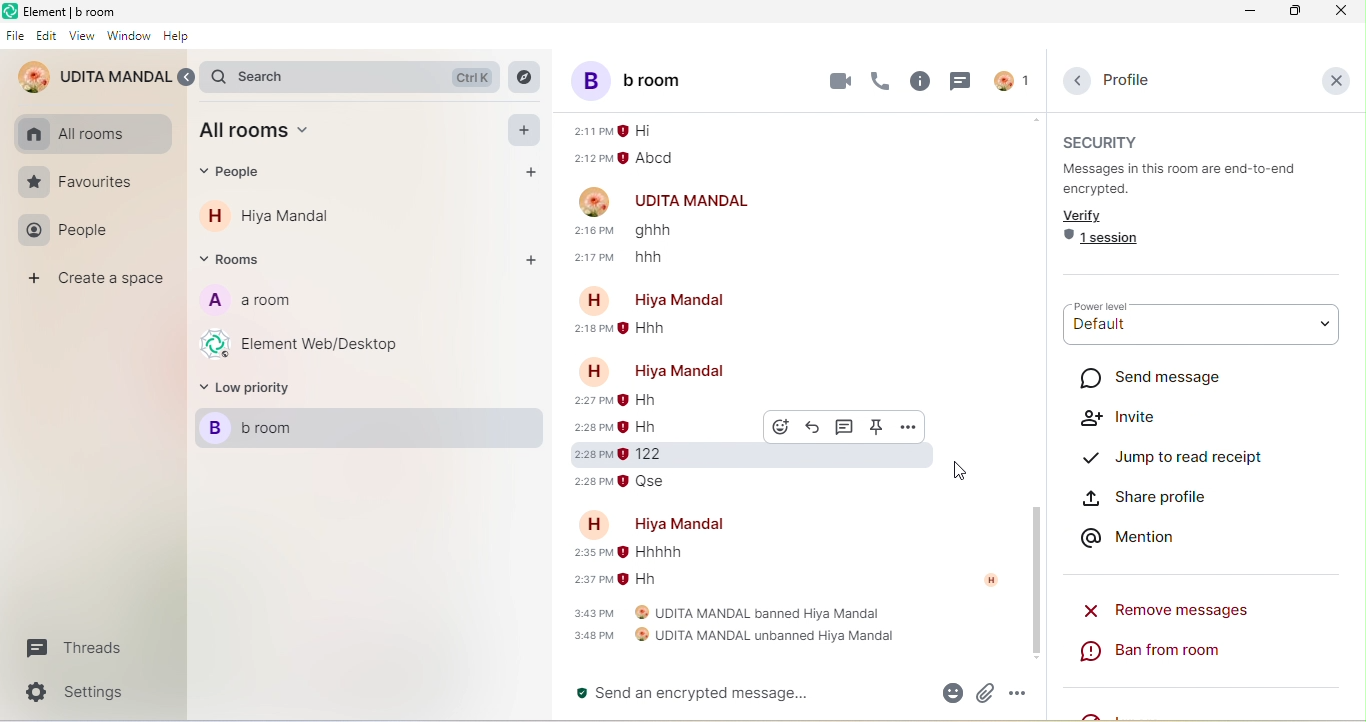 This screenshot has height=722, width=1366. Describe the element at coordinates (1035, 578) in the screenshot. I see `scroll down` at that location.